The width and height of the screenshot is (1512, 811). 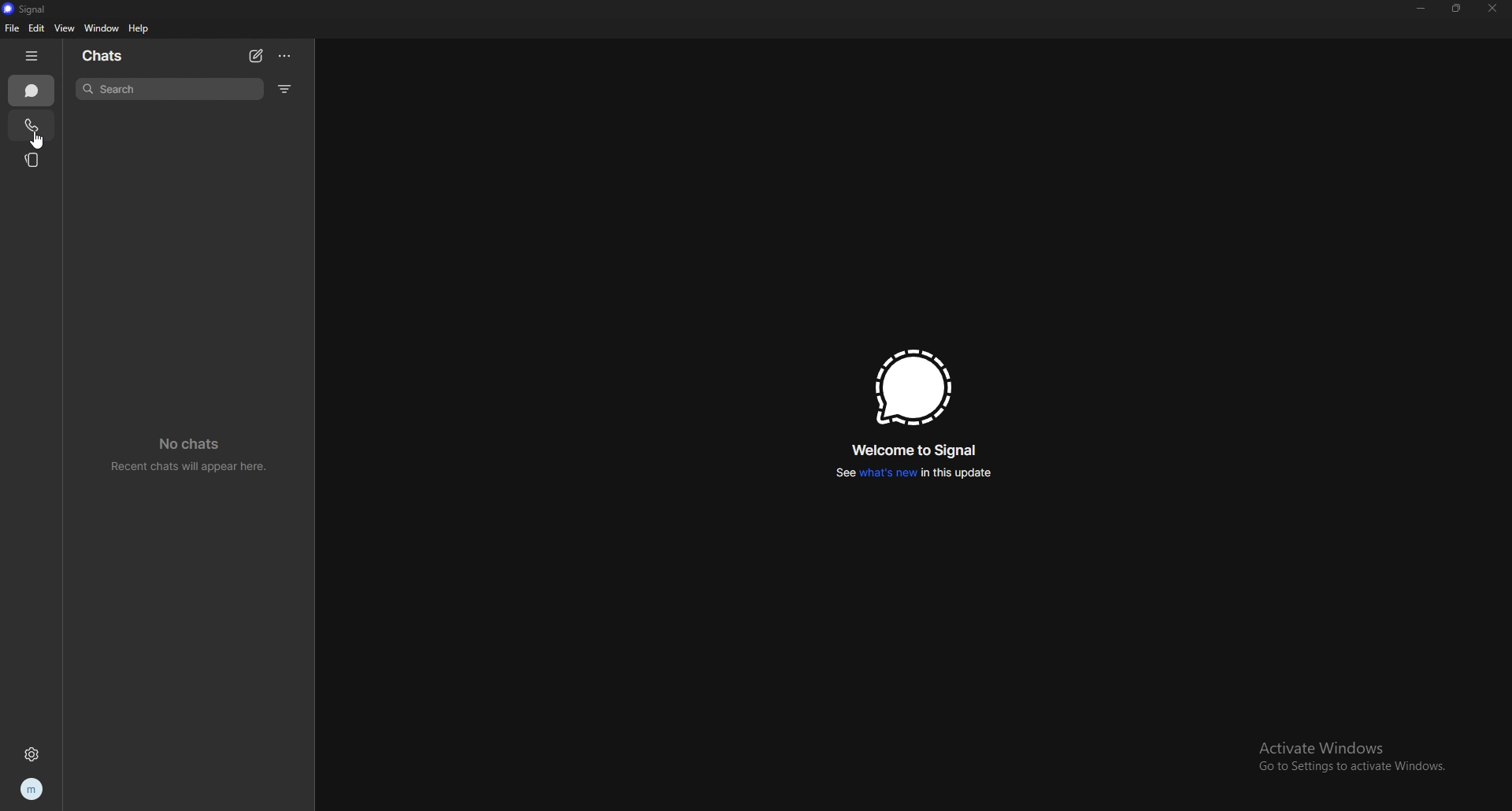 I want to click on chats, so click(x=113, y=57).